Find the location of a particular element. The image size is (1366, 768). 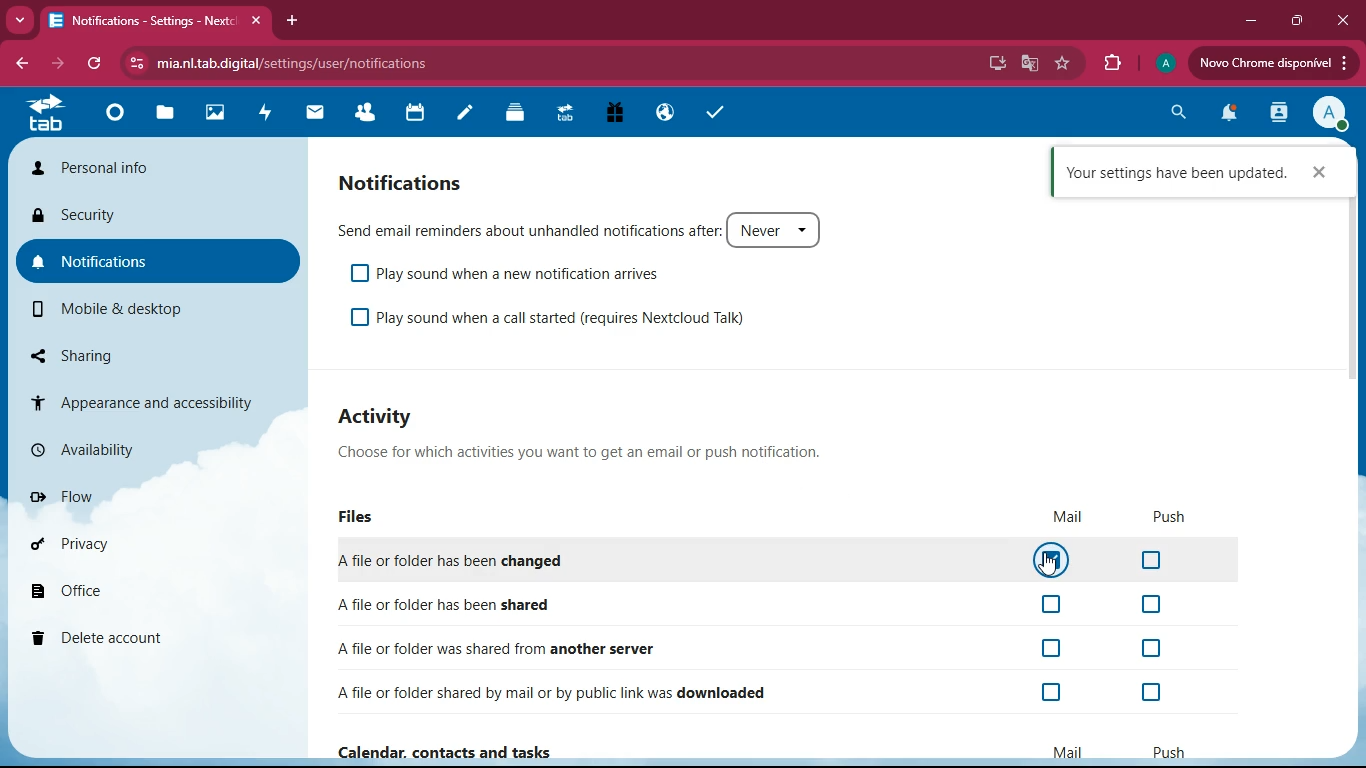

url is located at coordinates (275, 63).